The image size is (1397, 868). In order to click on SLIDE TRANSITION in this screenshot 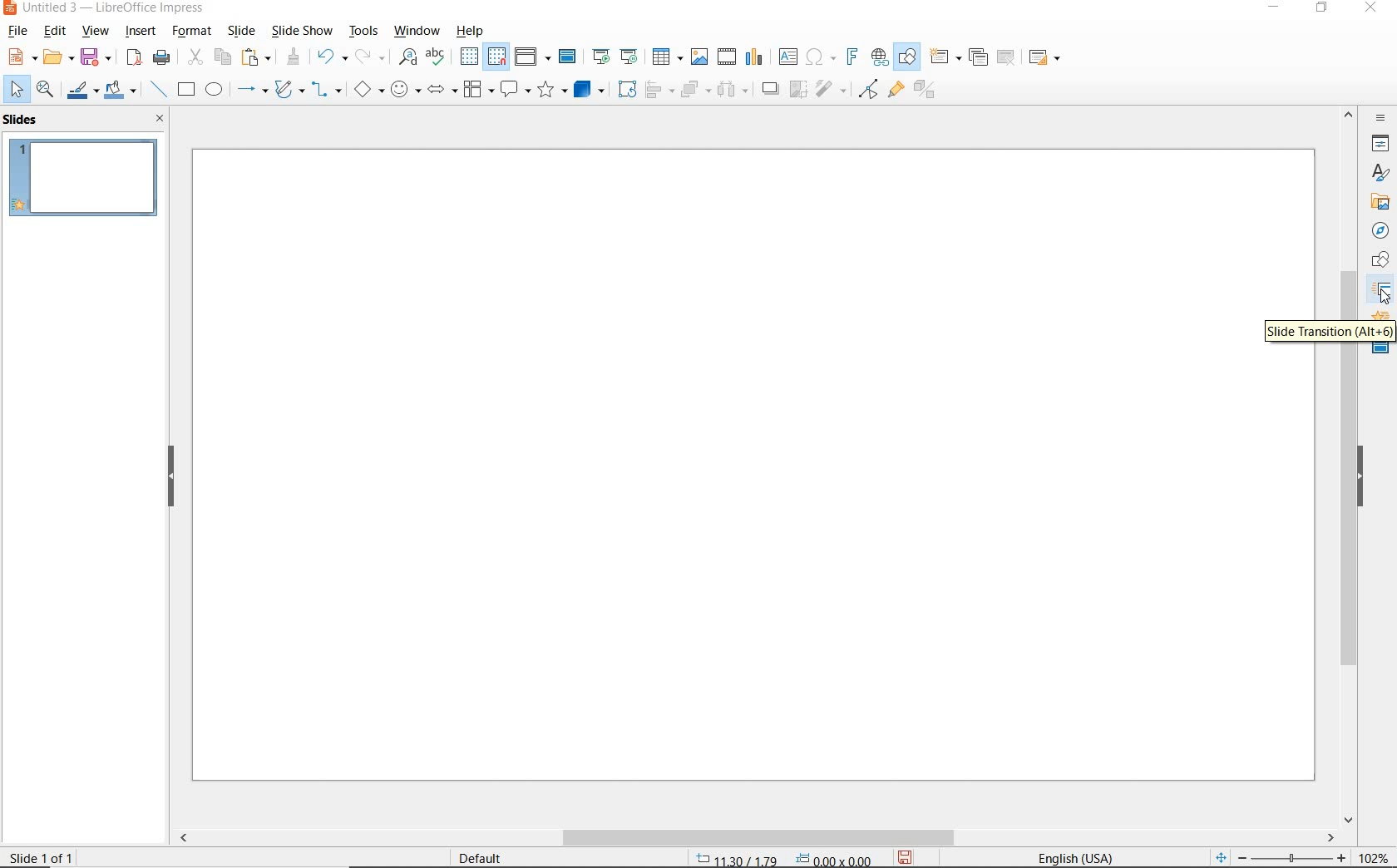, I will do `click(1327, 333)`.